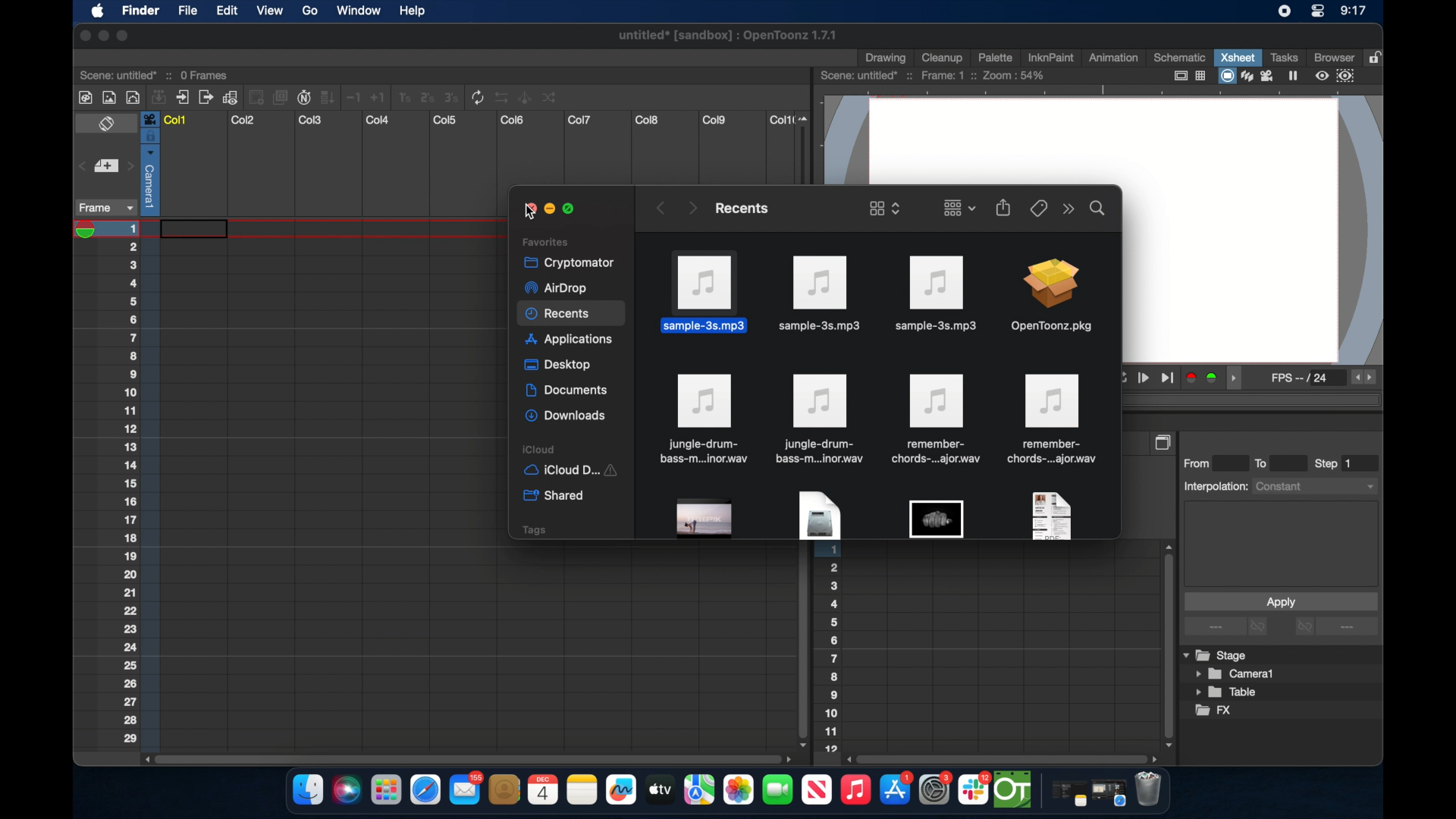 The height and width of the screenshot is (819, 1456). Describe the element at coordinates (818, 516) in the screenshot. I see `obscure icon` at that location.